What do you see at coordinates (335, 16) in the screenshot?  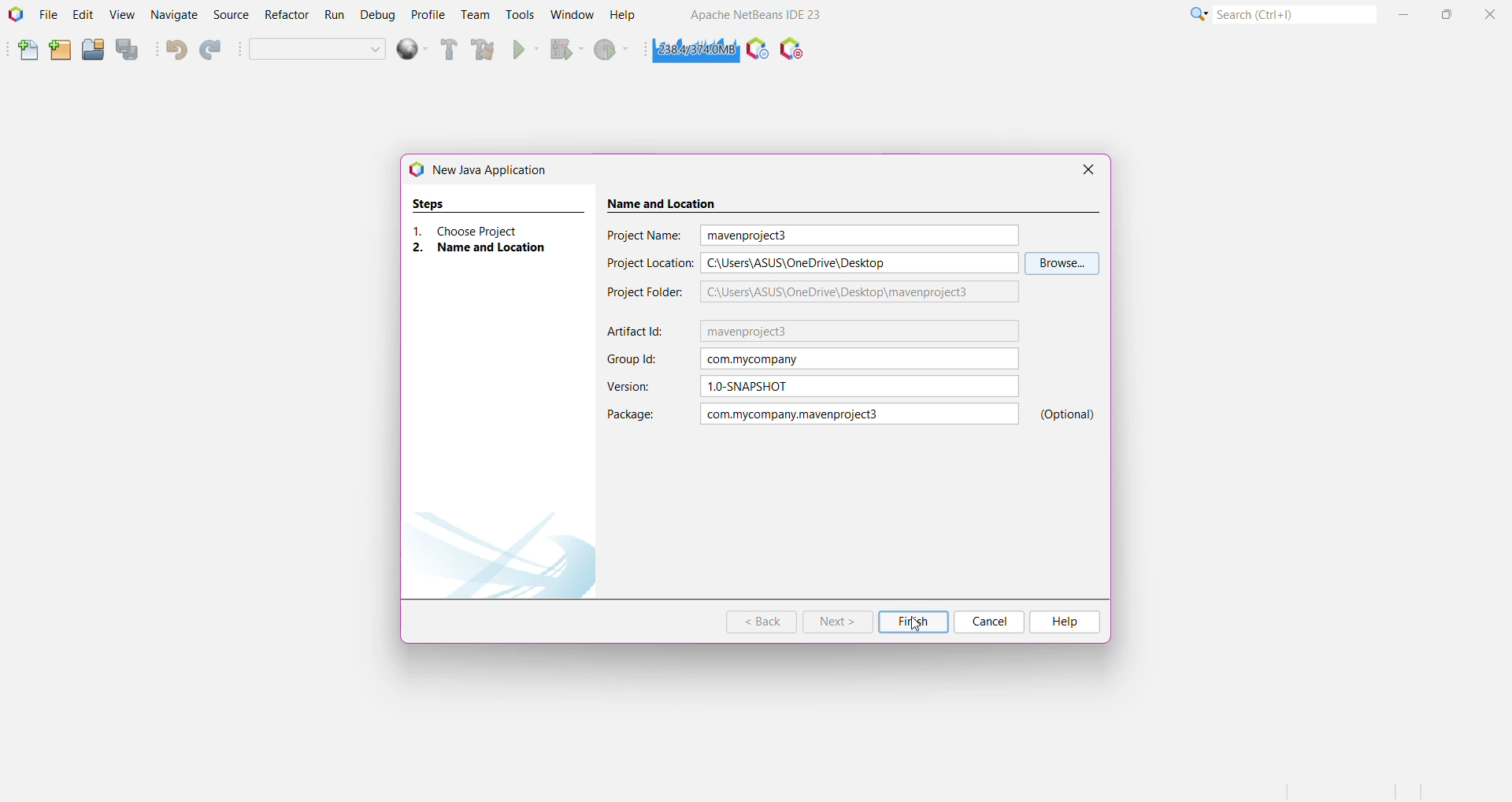 I see `Run` at bounding box center [335, 16].